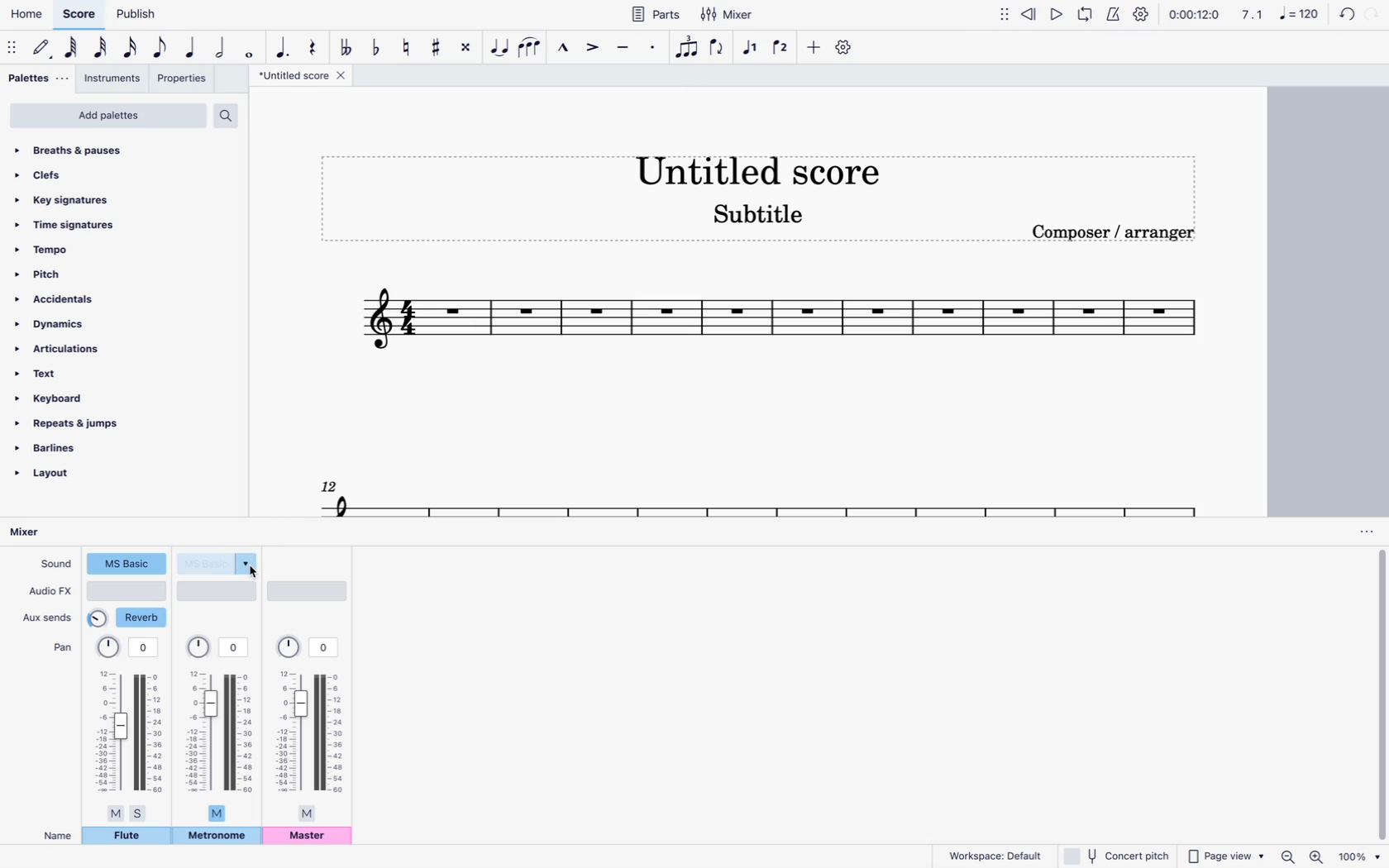 The width and height of the screenshot is (1389, 868). What do you see at coordinates (782, 50) in the screenshot?
I see `voice 2` at bounding box center [782, 50].